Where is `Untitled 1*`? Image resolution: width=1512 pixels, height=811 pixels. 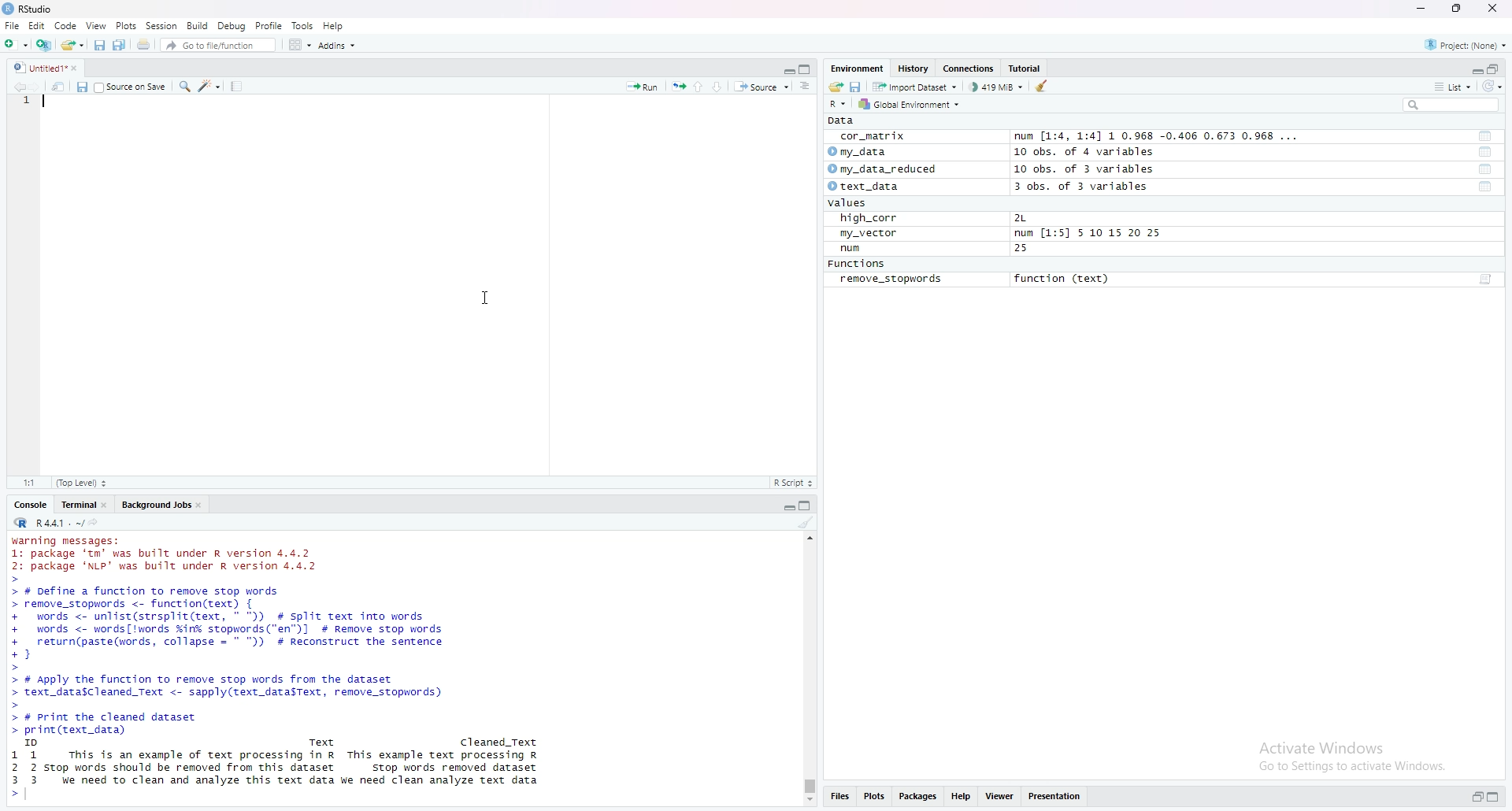
Untitled 1* is located at coordinates (47, 69).